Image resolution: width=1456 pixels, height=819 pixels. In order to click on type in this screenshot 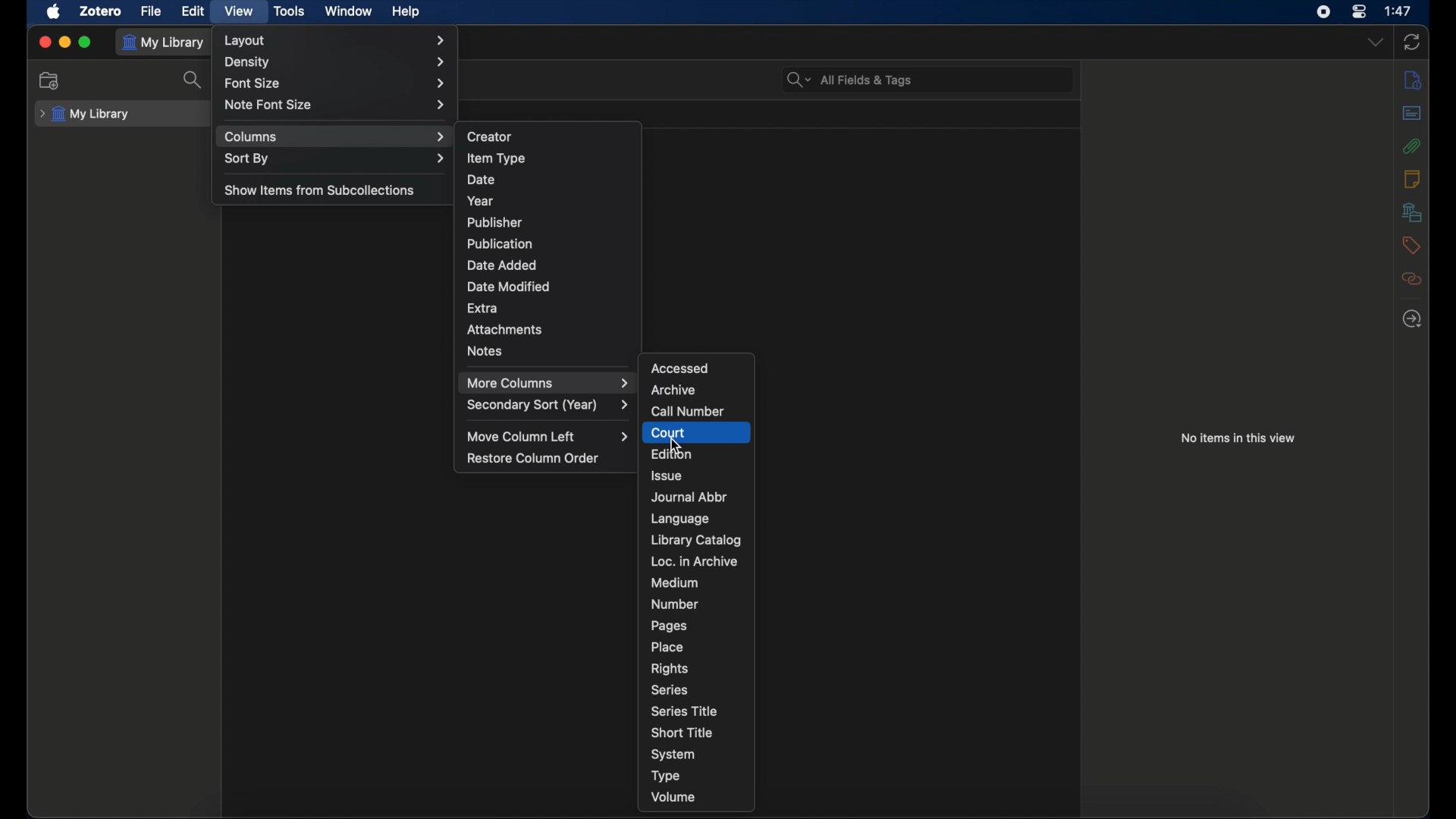, I will do `click(664, 775)`.